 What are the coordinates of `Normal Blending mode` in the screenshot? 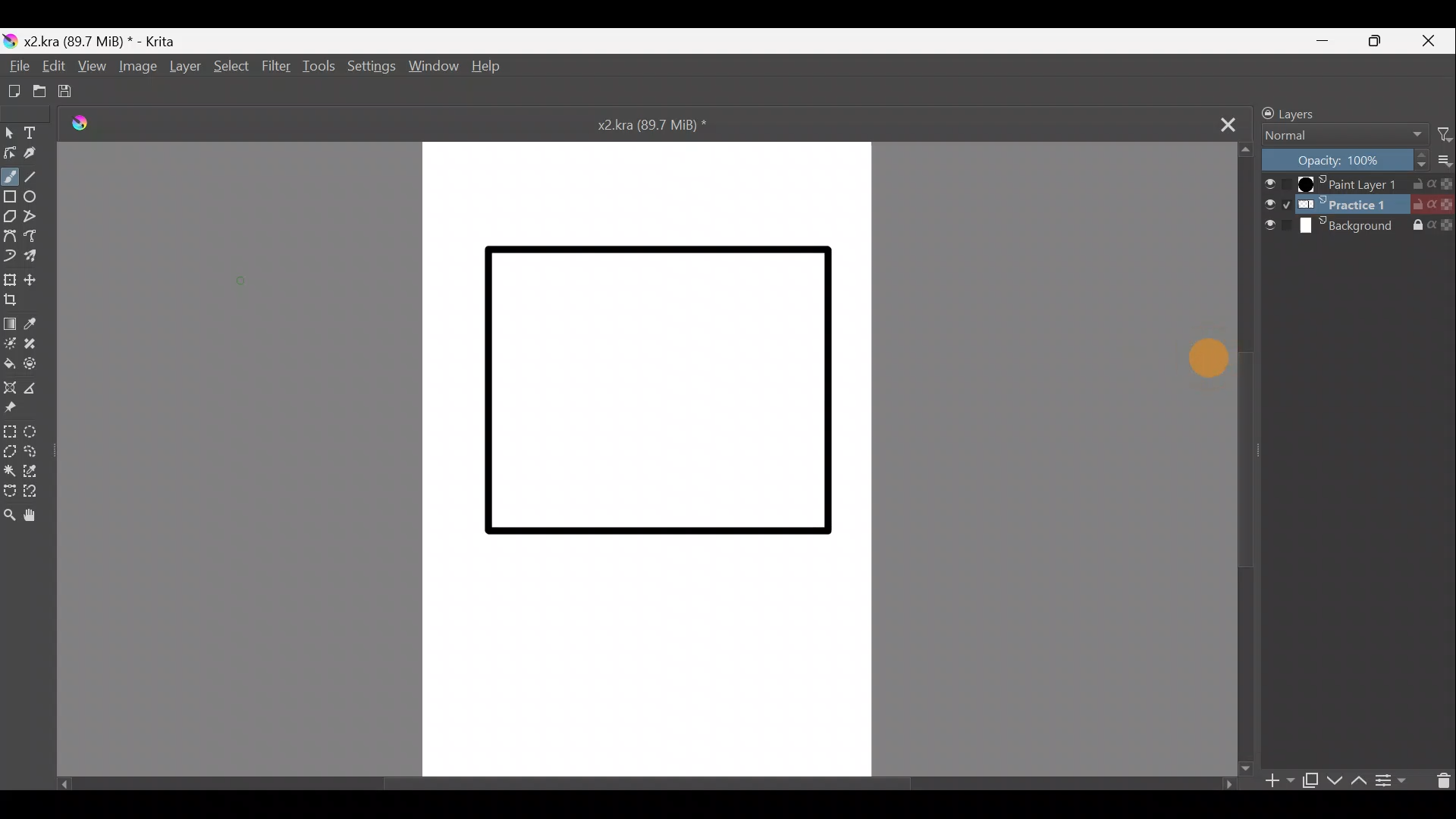 It's located at (1341, 133).